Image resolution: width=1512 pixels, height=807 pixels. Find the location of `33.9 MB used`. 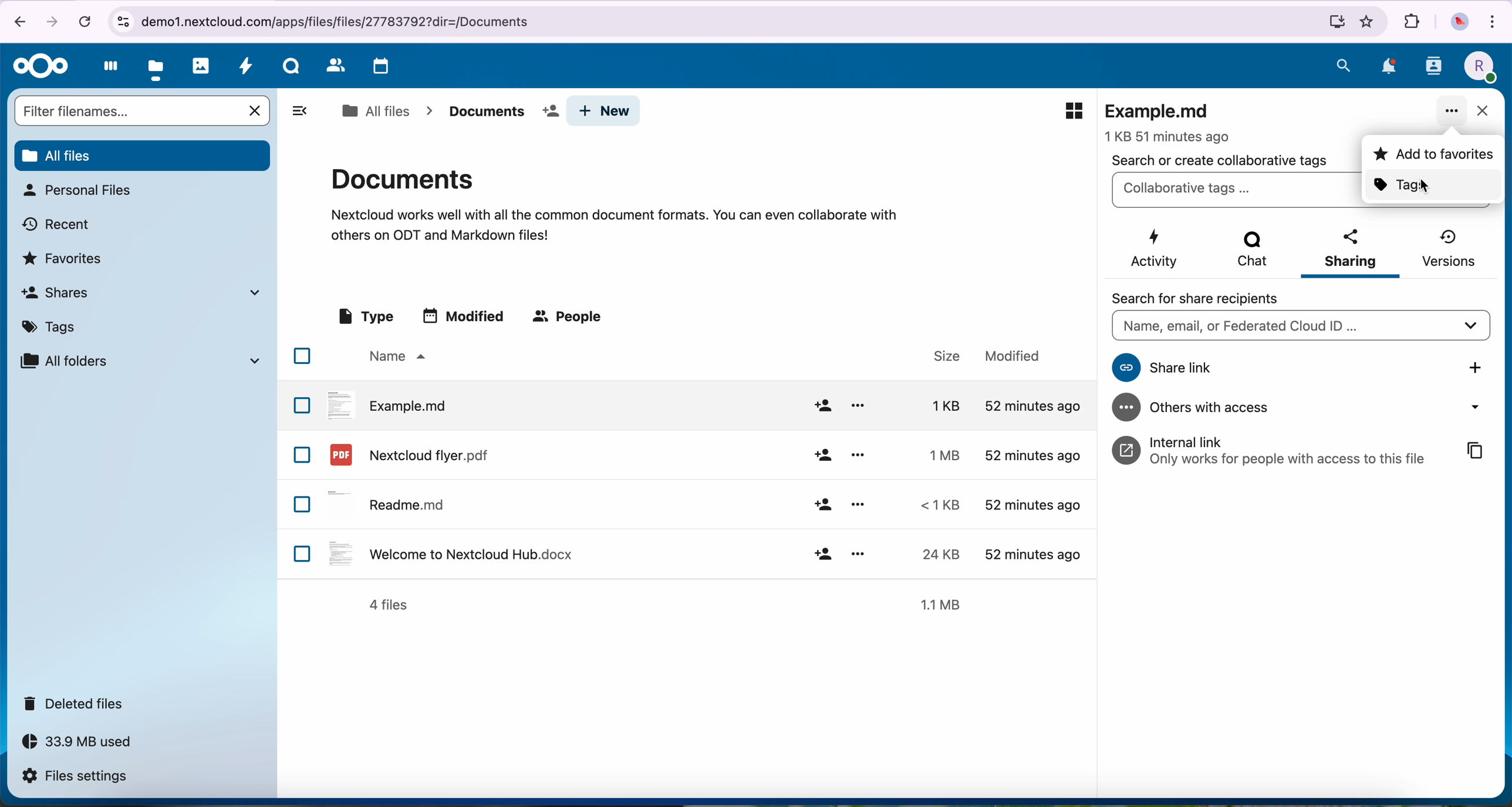

33.9 MB used is located at coordinates (88, 745).